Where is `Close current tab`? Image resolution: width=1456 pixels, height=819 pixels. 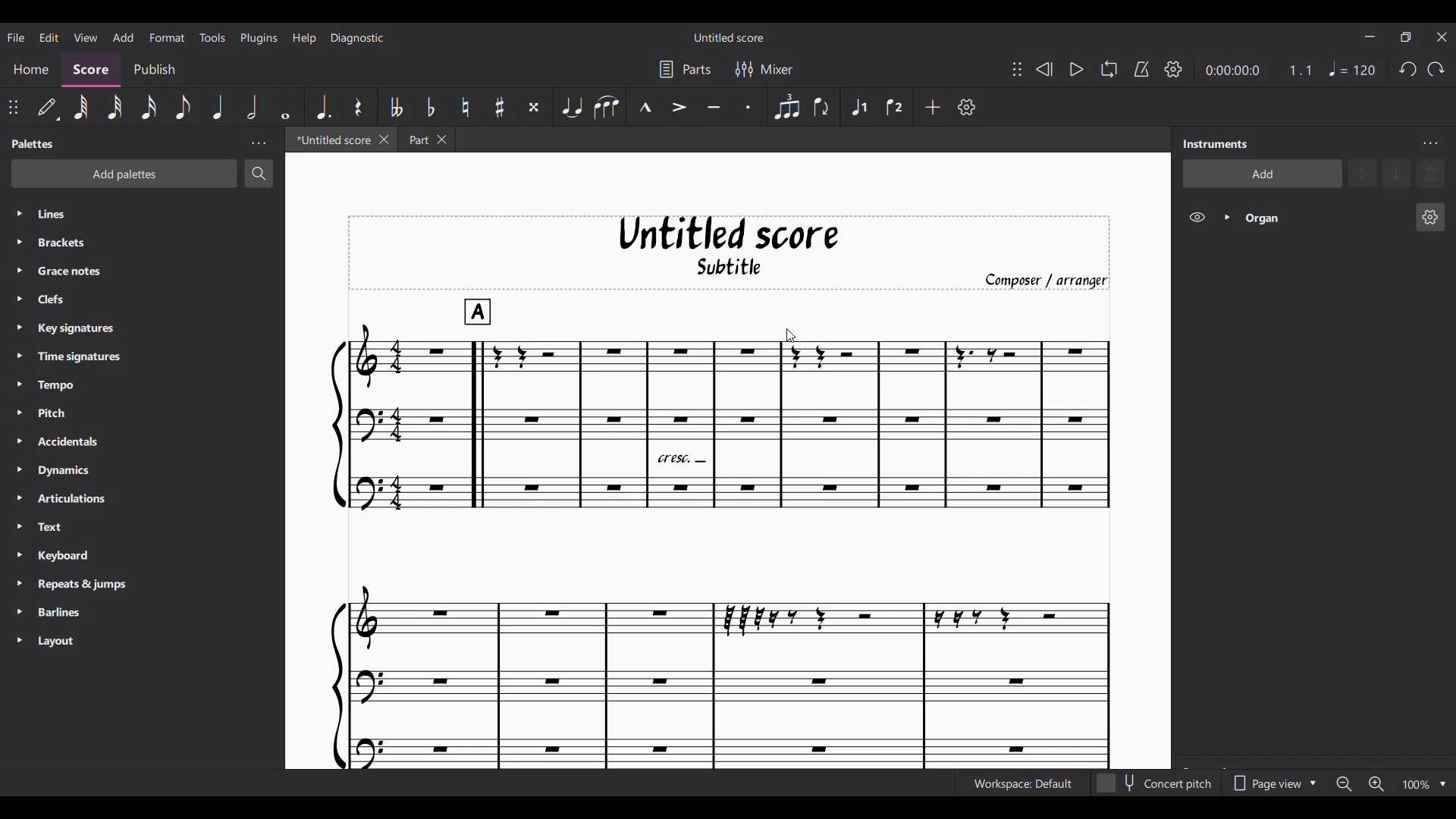
Close current tab is located at coordinates (384, 139).